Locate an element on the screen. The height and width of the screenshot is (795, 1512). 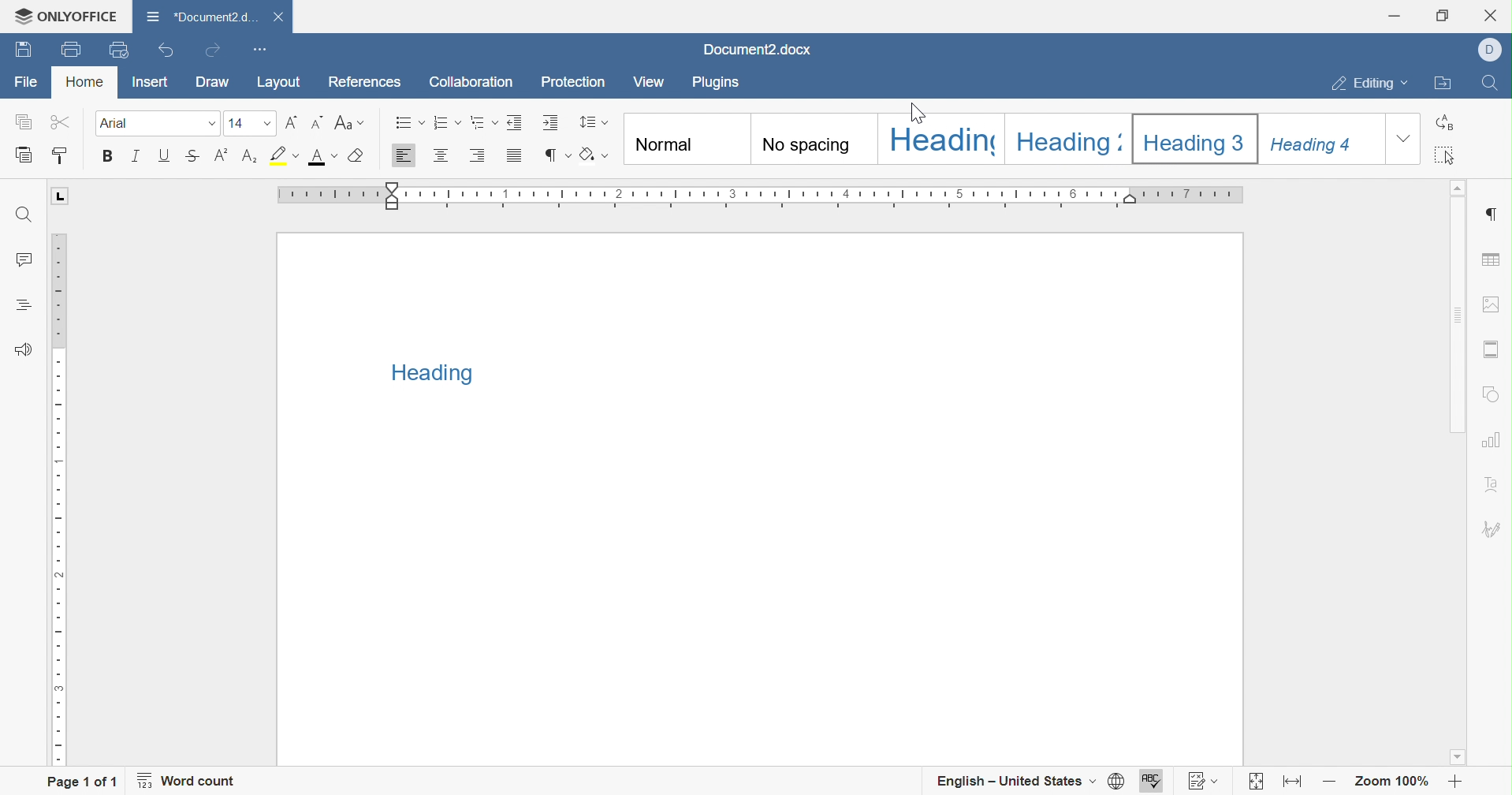
*Document2.docx is located at coordinates (200, 17).